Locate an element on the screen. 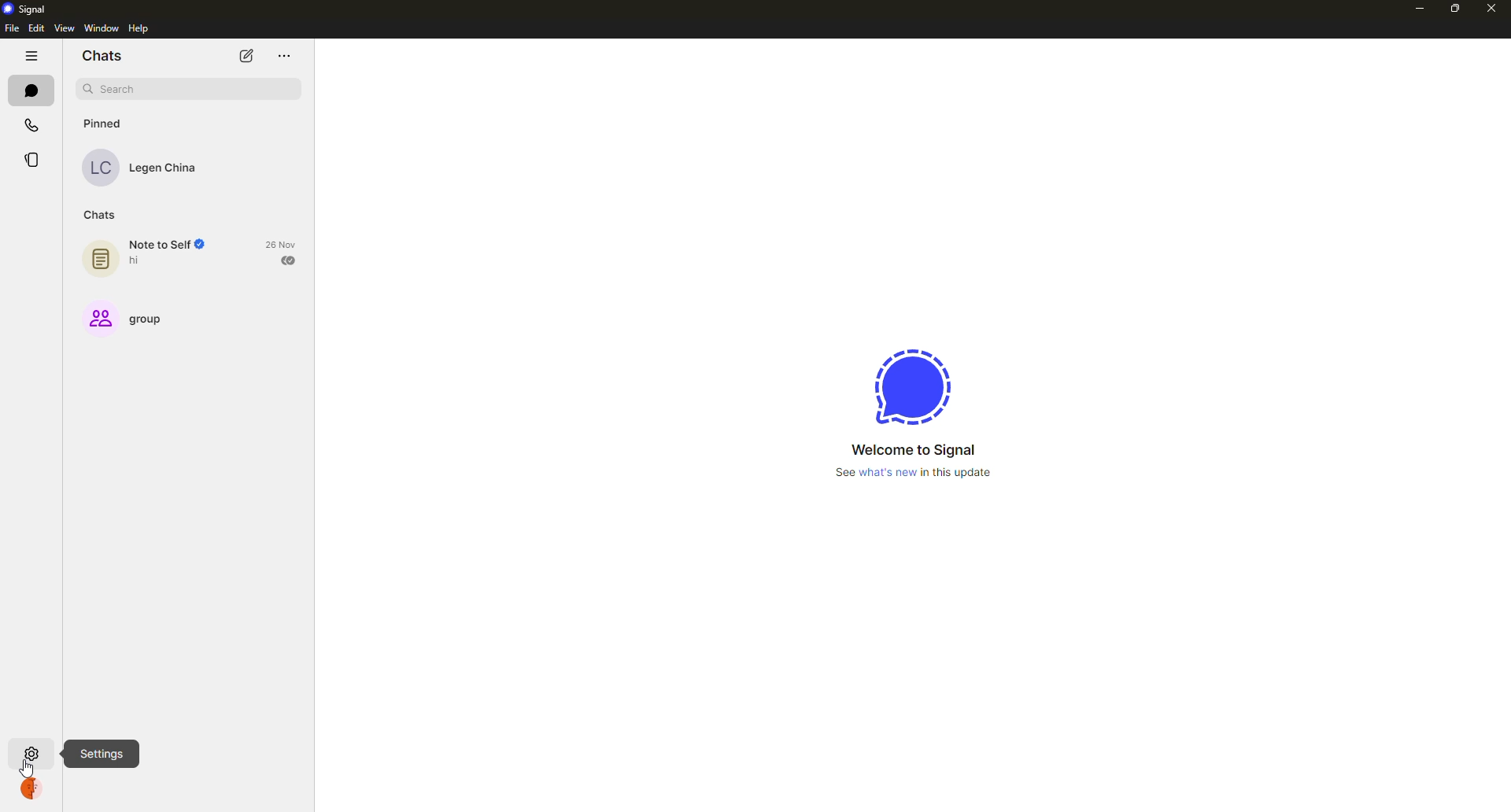 This screenshot has width=1511, height=812. profile is located at coordinates (36, 789).